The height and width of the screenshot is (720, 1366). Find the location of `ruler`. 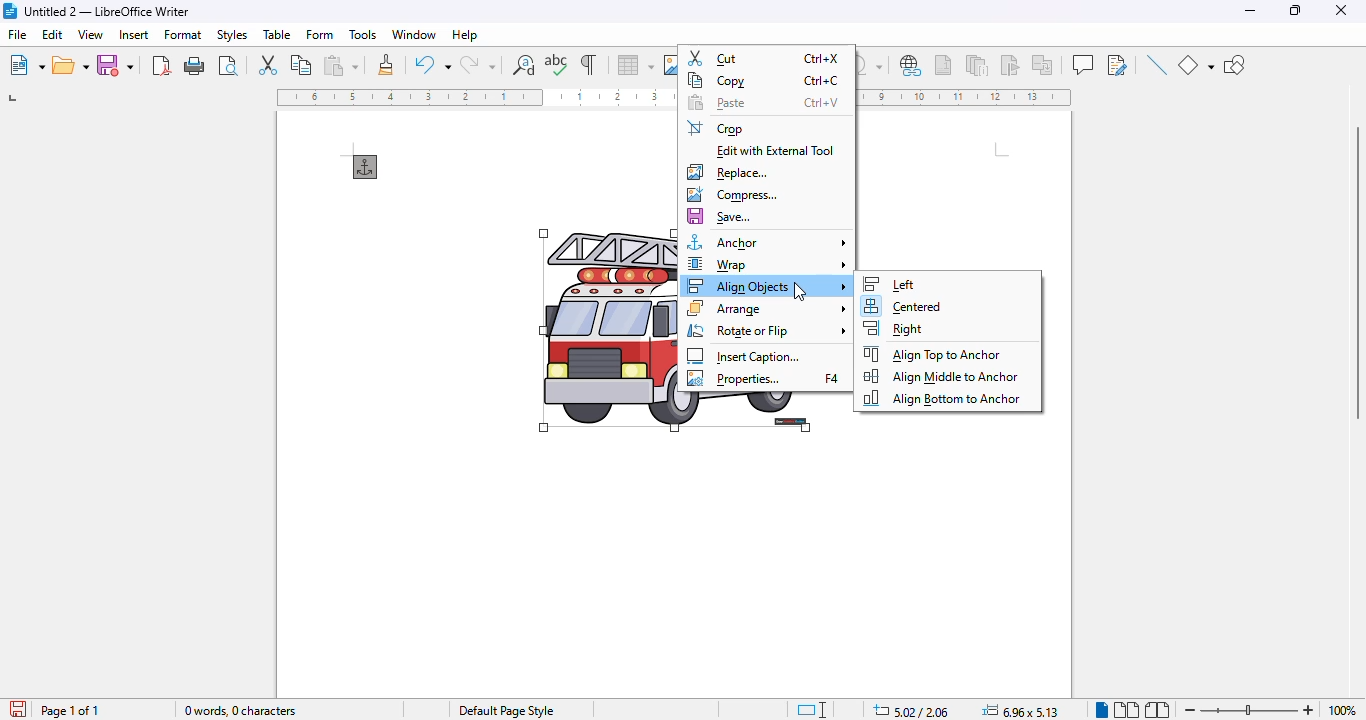

ruler is located at coordinates (475, 97).